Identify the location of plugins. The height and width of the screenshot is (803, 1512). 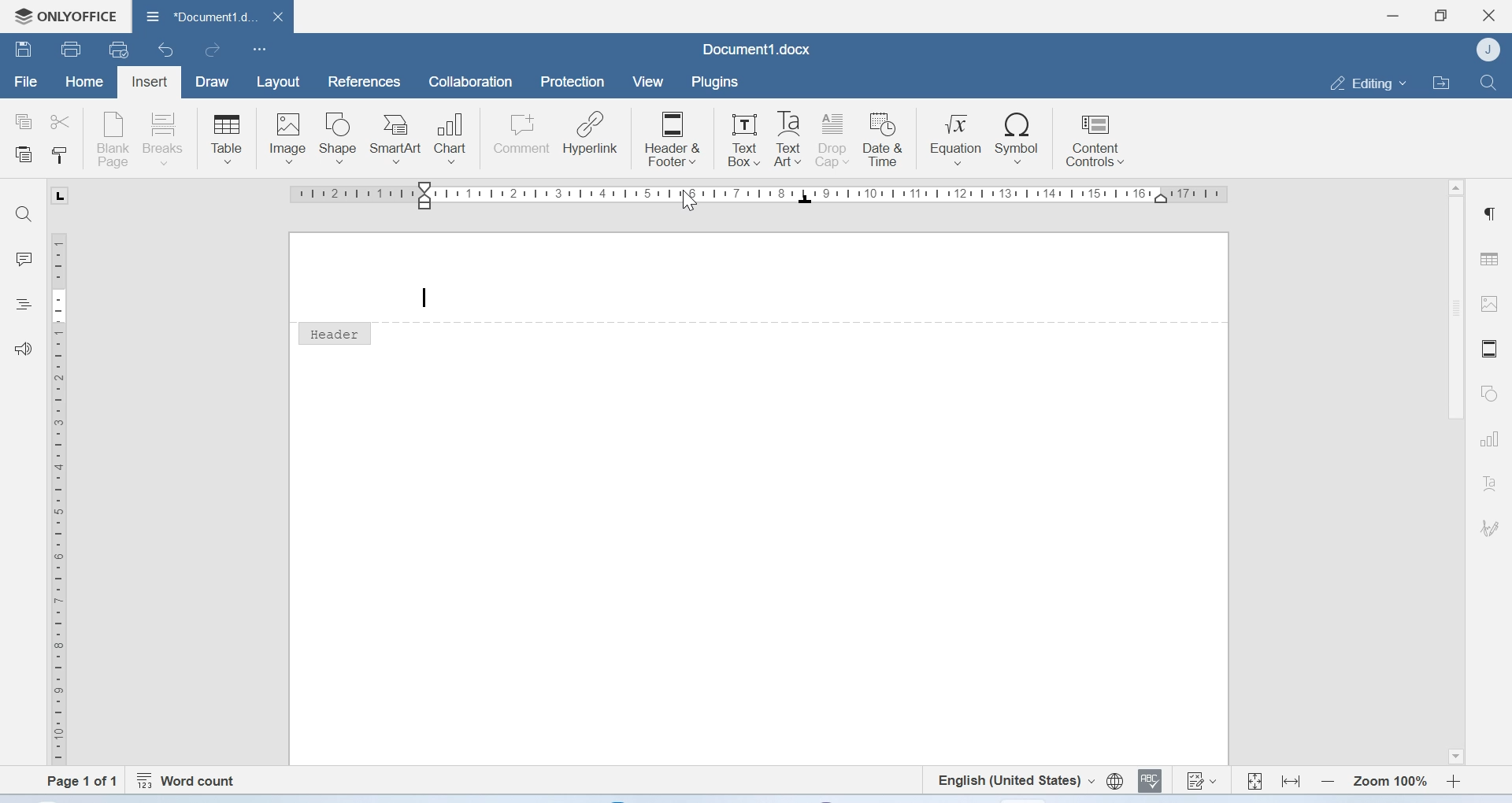
(721, 82).